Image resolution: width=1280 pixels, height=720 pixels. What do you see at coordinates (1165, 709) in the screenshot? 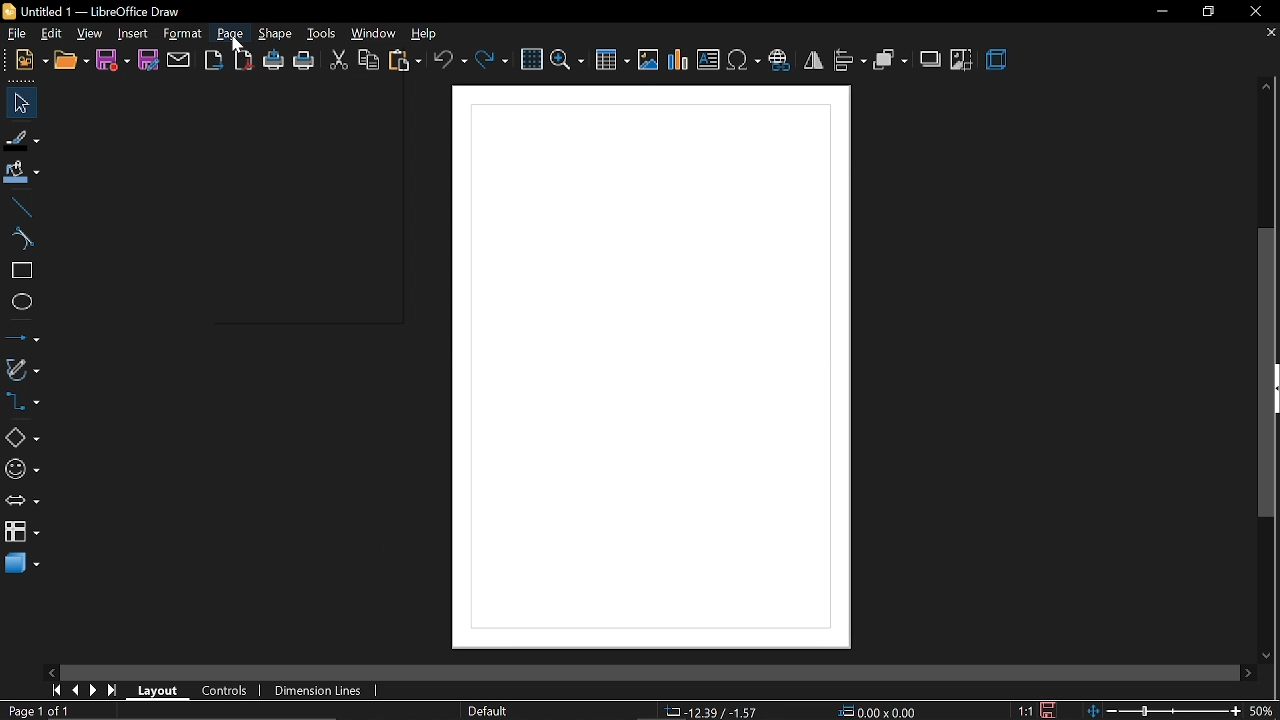
I see `change zoom` at bounding box center [1165, 709].